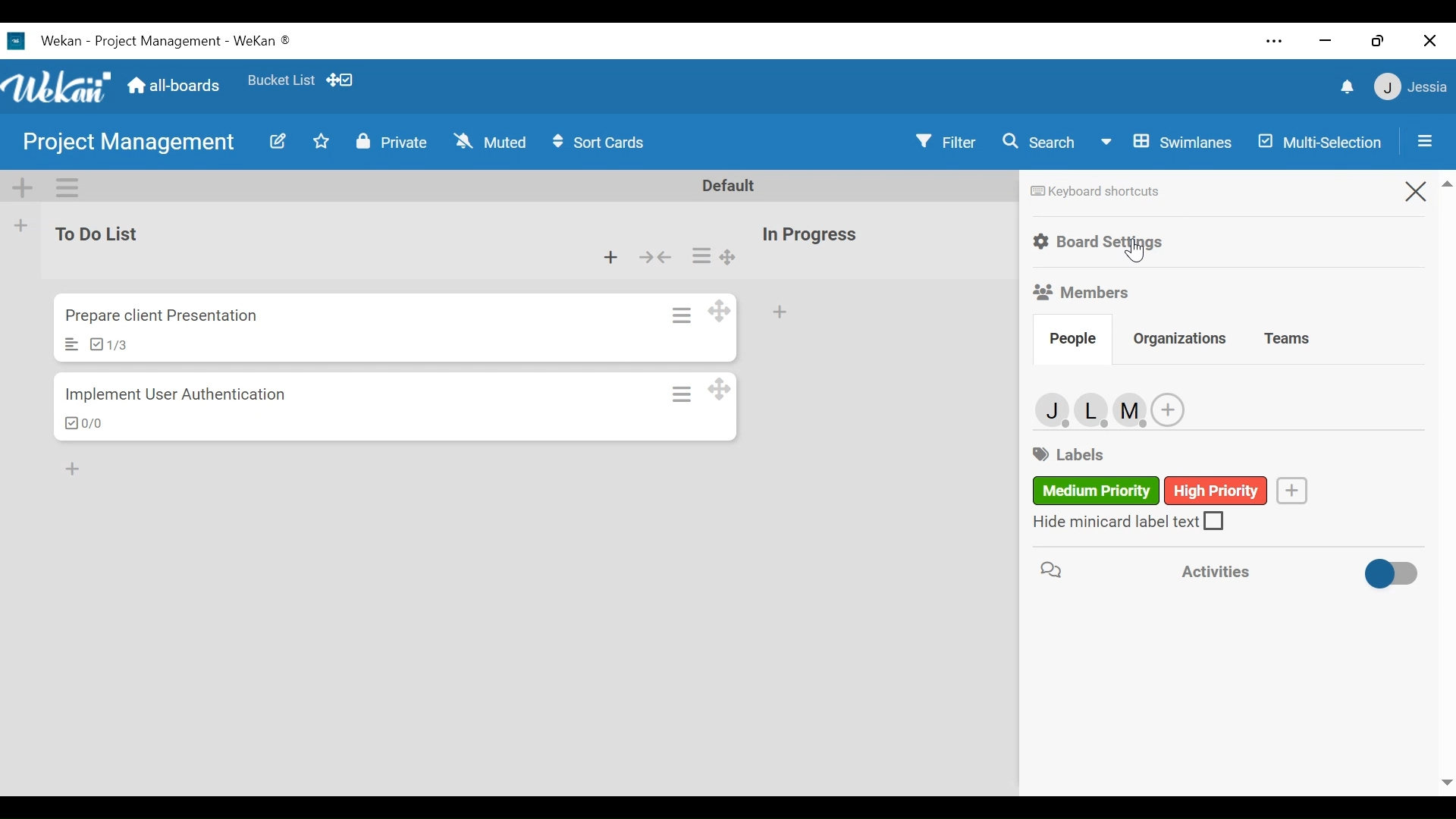 Image resolution: width=1456 pixels, height=819 pixels. What do you see at coordinates (1328, 41) in the screenshot?
I see `close` at bounding box center [1328, 41].